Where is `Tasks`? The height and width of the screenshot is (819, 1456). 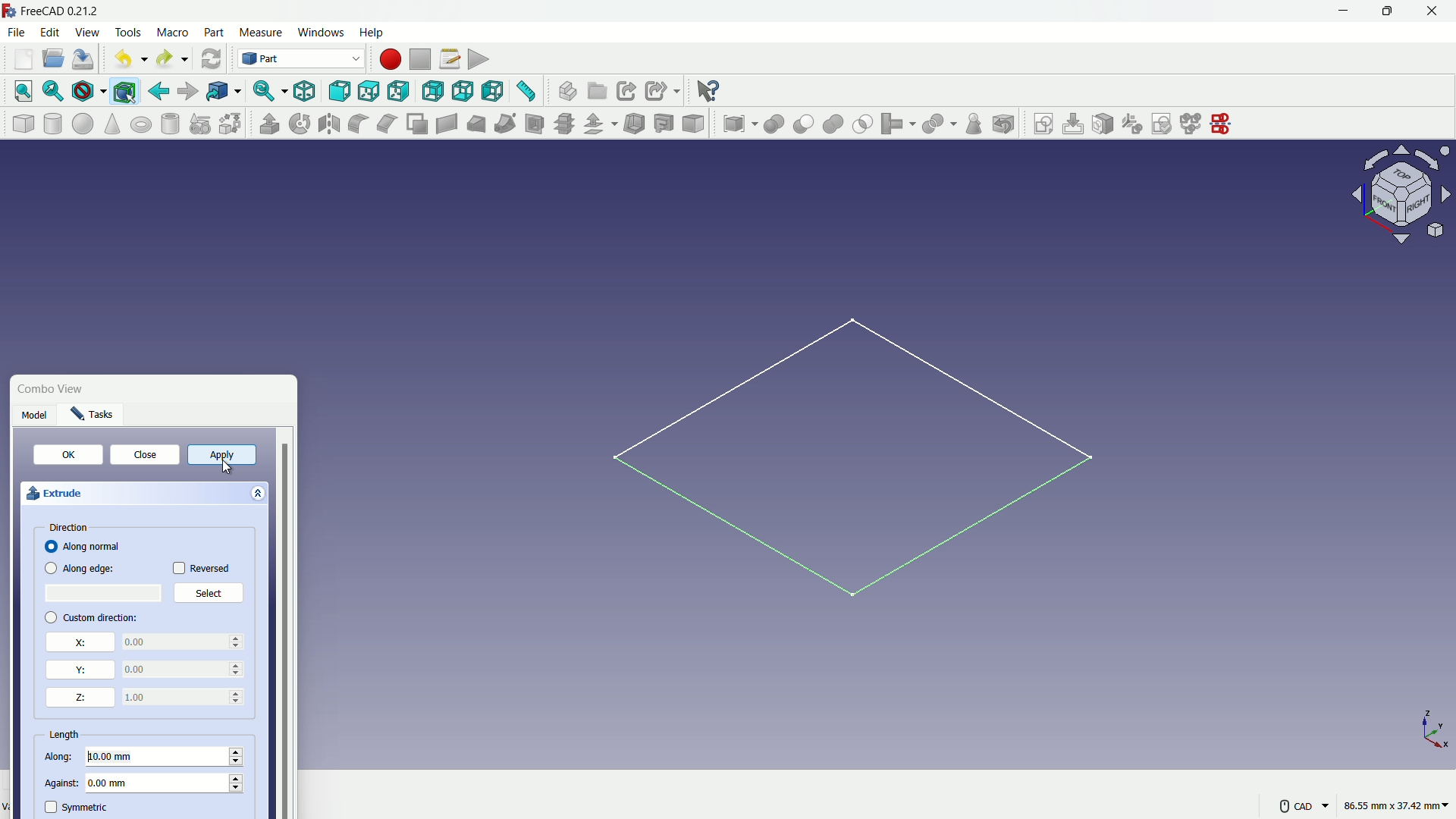
Tasks is located at coordinates (91, 413).